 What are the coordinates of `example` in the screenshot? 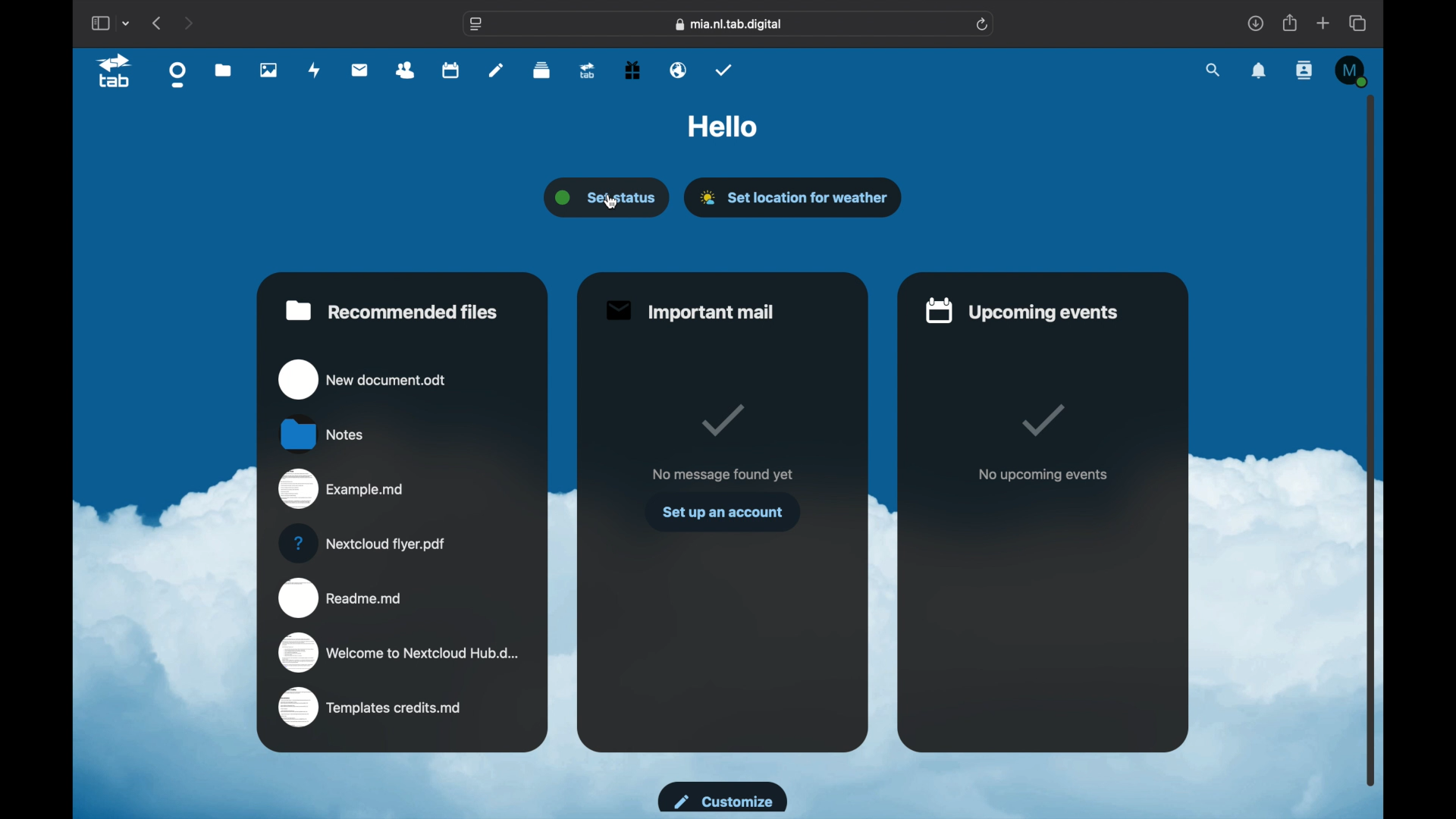 It's located at (344, 490).